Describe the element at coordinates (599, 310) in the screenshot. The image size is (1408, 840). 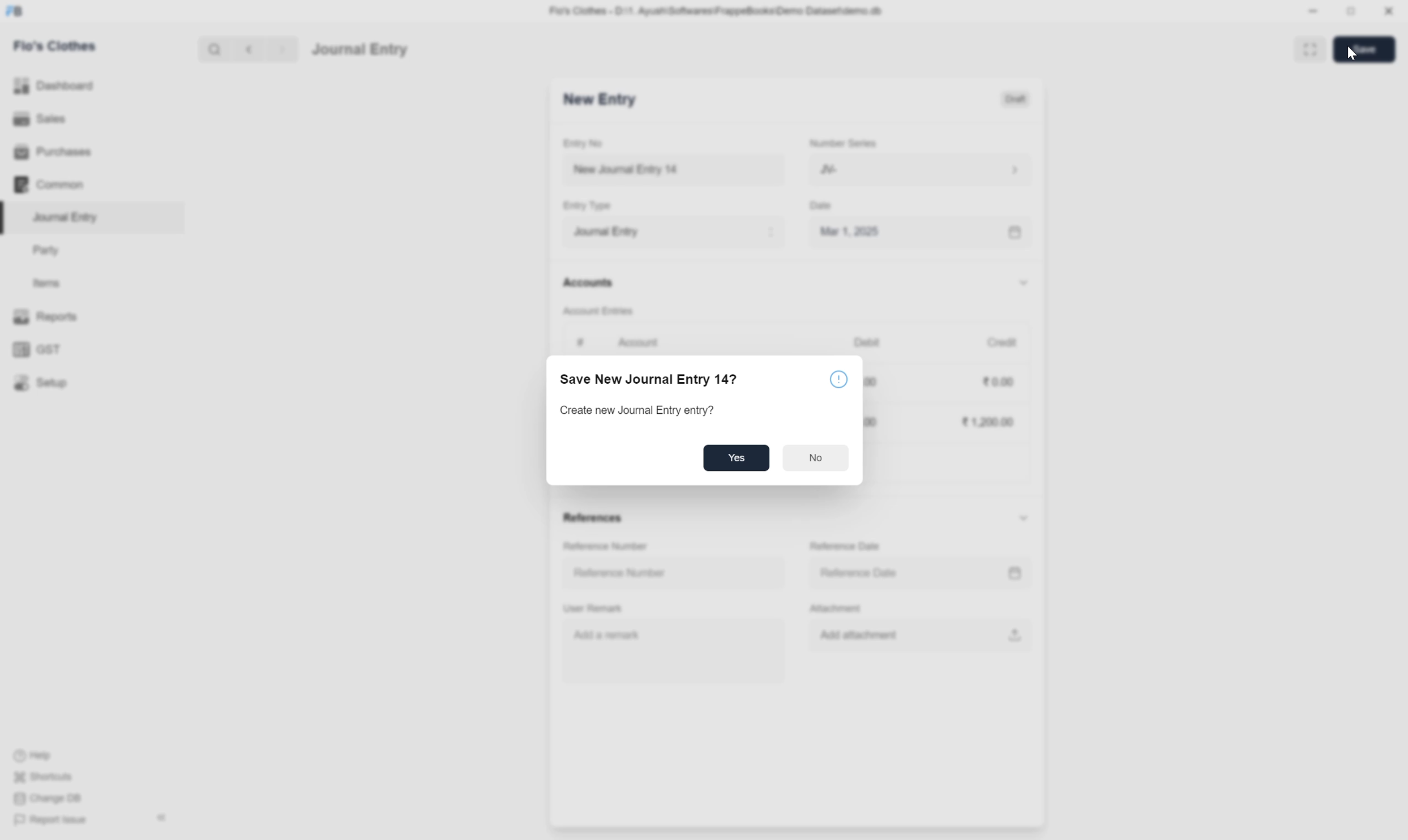
I see `Account Entries` at that location.